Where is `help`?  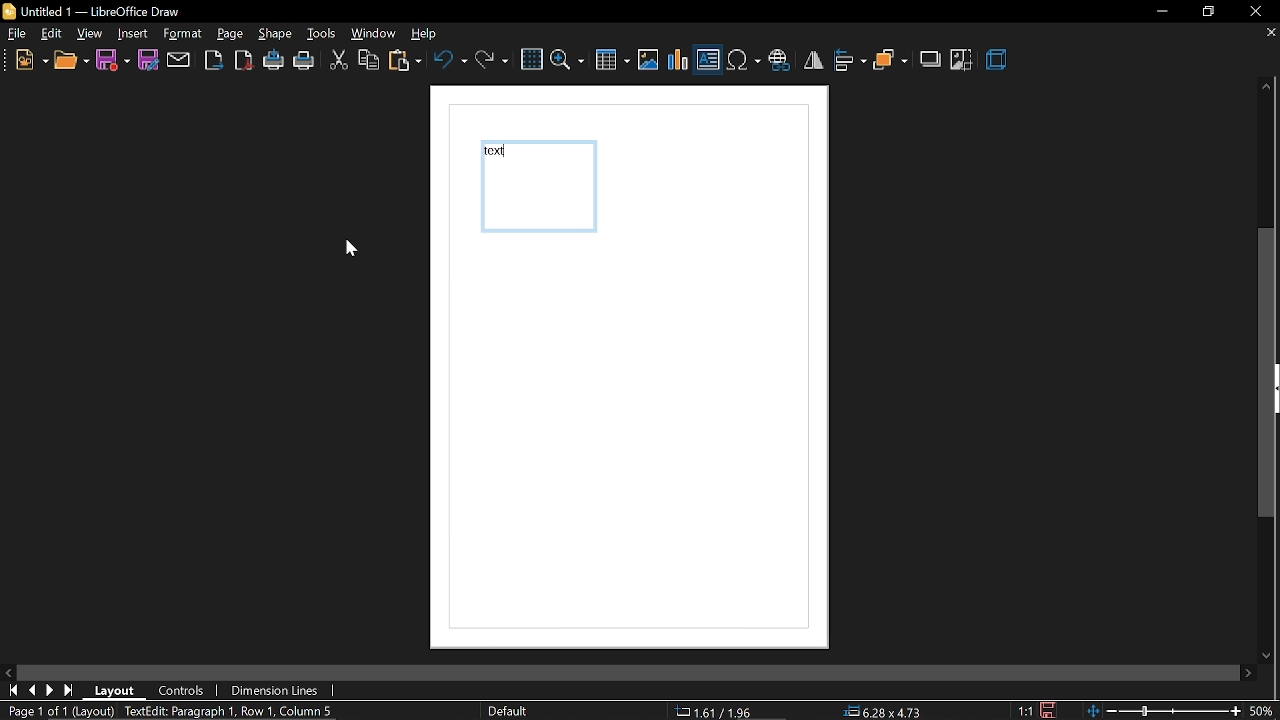
help is located at coordinates (429, 35).